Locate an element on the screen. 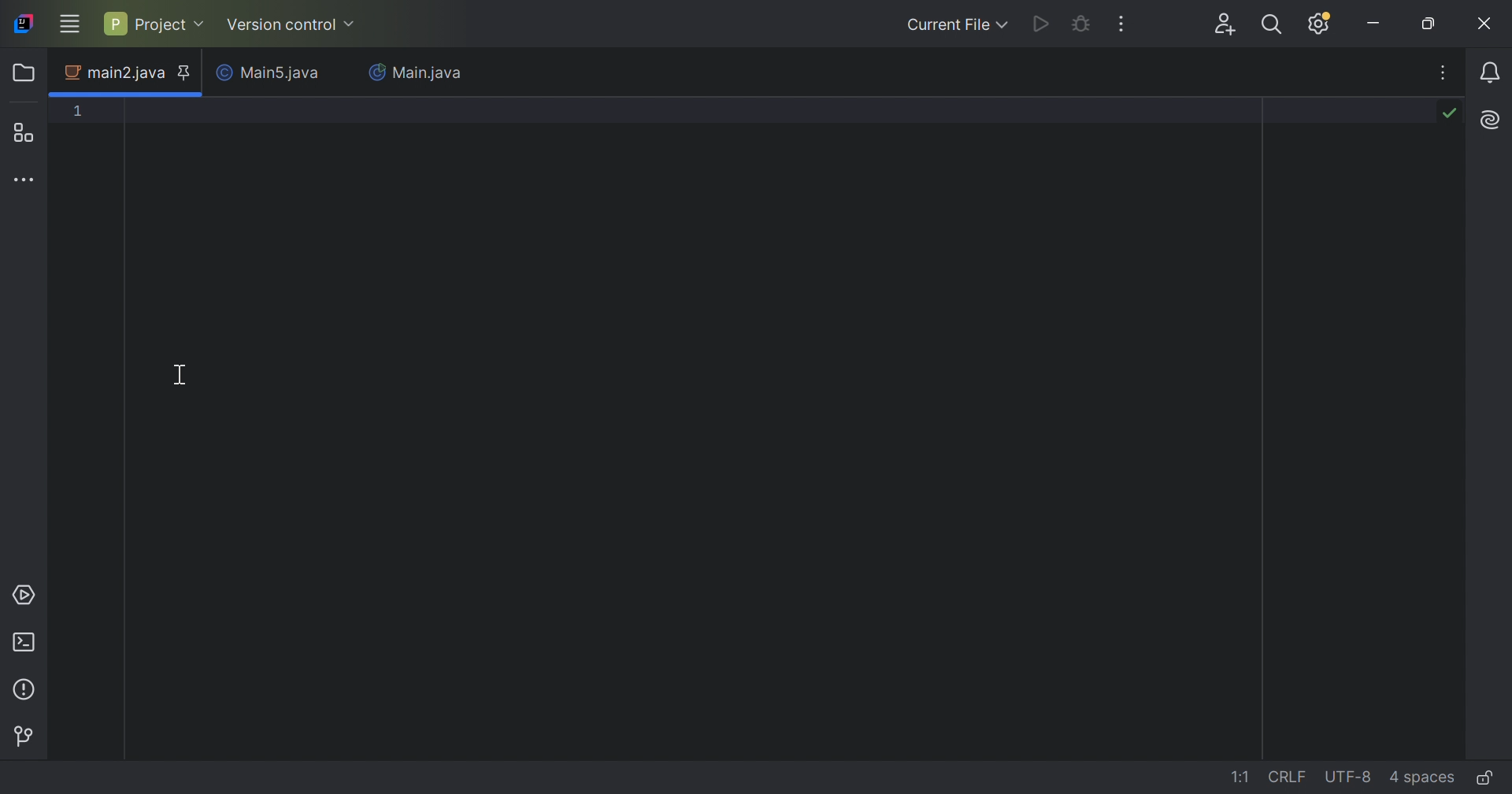  Notifications is located at coordinates (1493, 73).